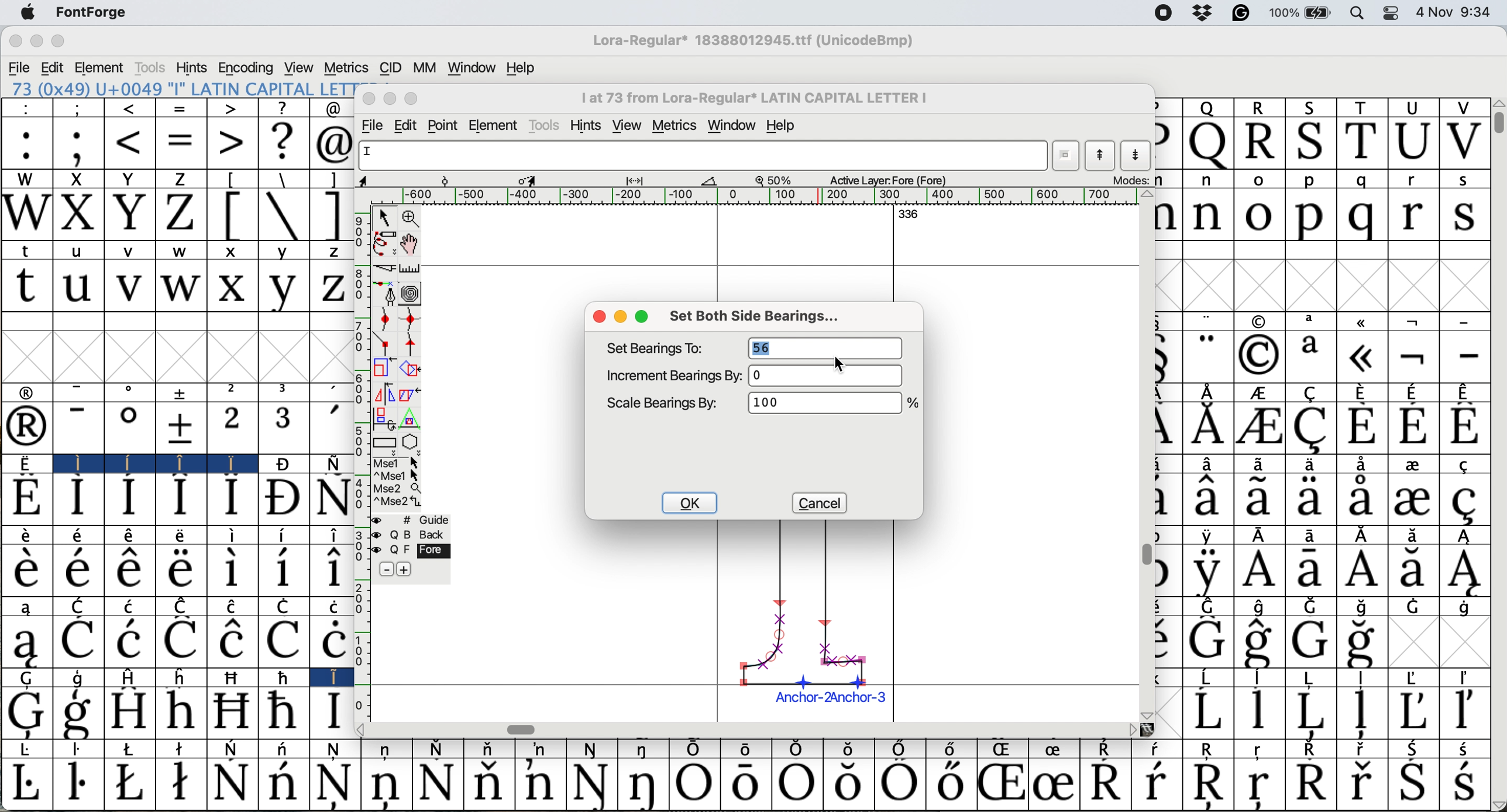 The image size is (1507, 812). I want to click on Symbol, so click(184, 605).